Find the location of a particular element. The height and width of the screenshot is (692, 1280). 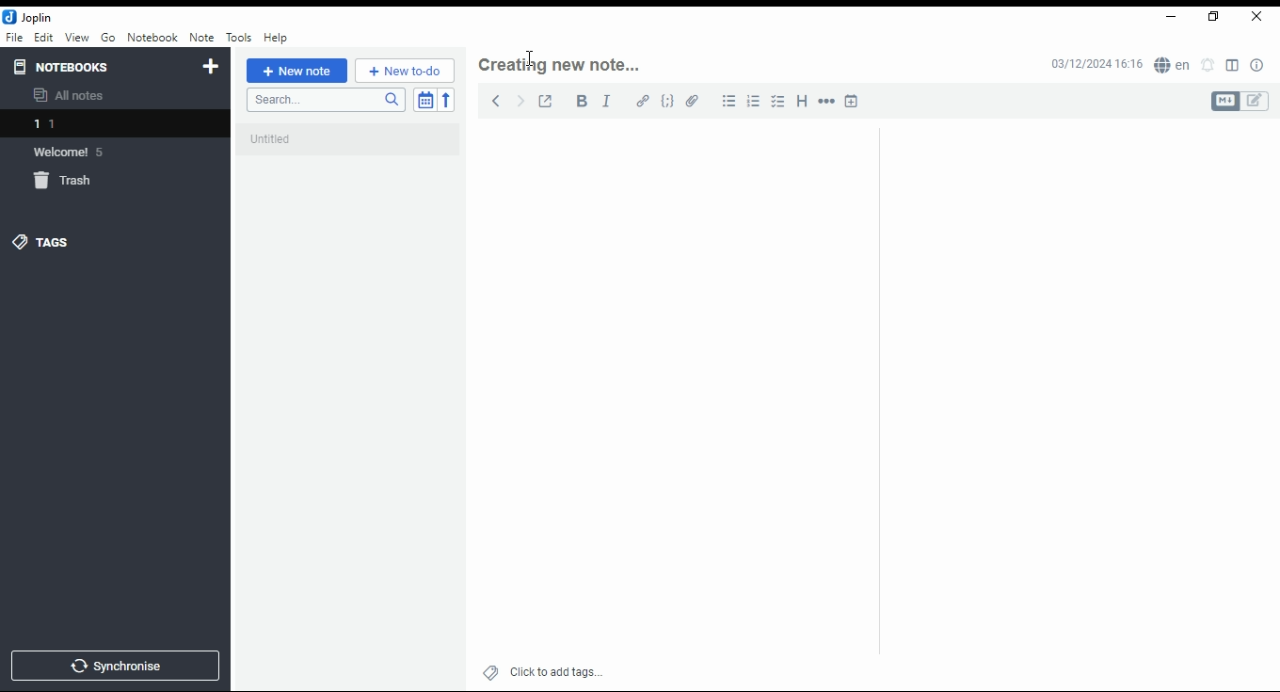

horizontal rule is located at coordinates (828, 100).